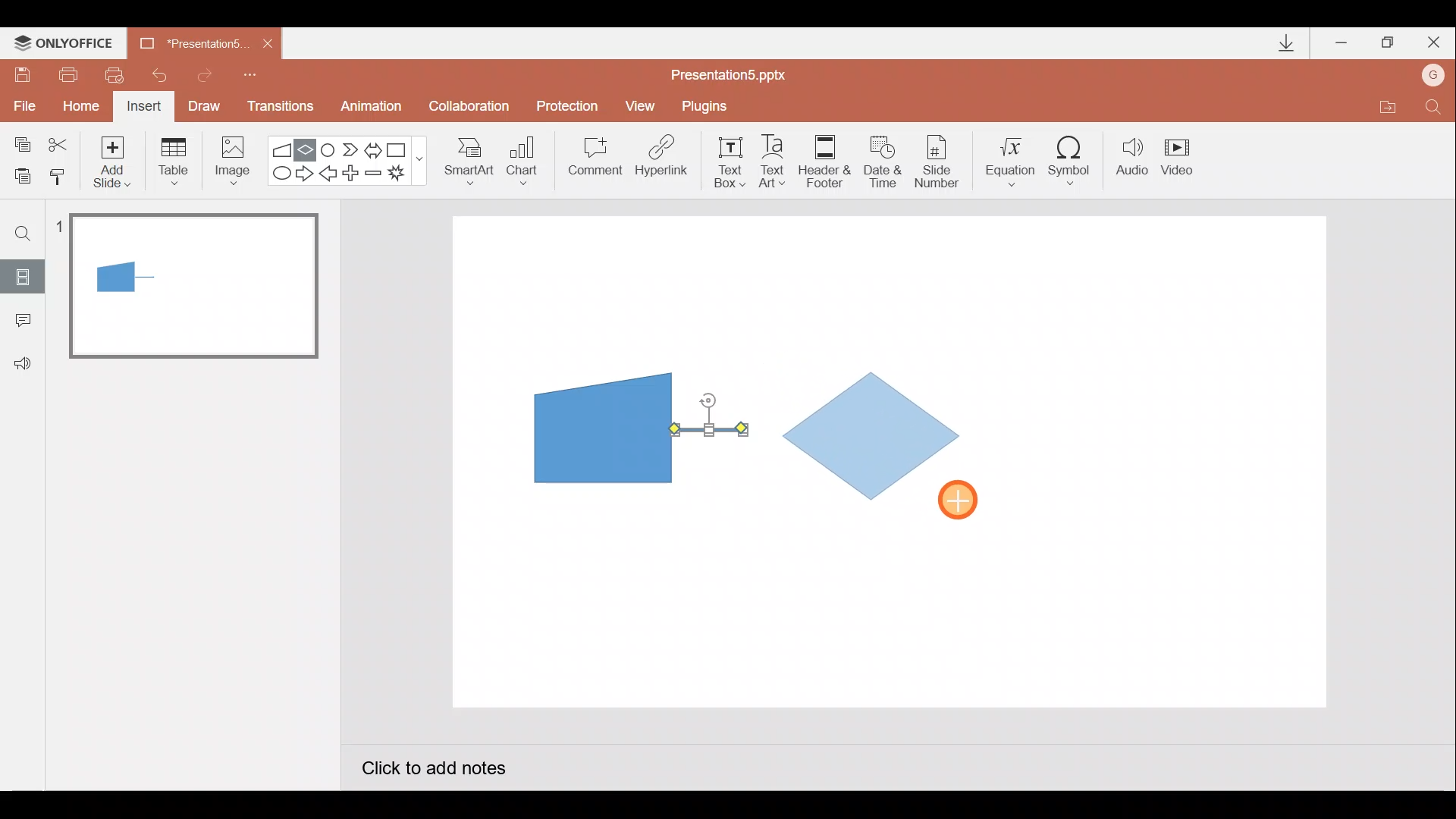 This screenshot has width=1456, height=819. What do you see at coordinates (1183, 158) in the screenshot?
I see `Video` at bounding box center [1183, 158].